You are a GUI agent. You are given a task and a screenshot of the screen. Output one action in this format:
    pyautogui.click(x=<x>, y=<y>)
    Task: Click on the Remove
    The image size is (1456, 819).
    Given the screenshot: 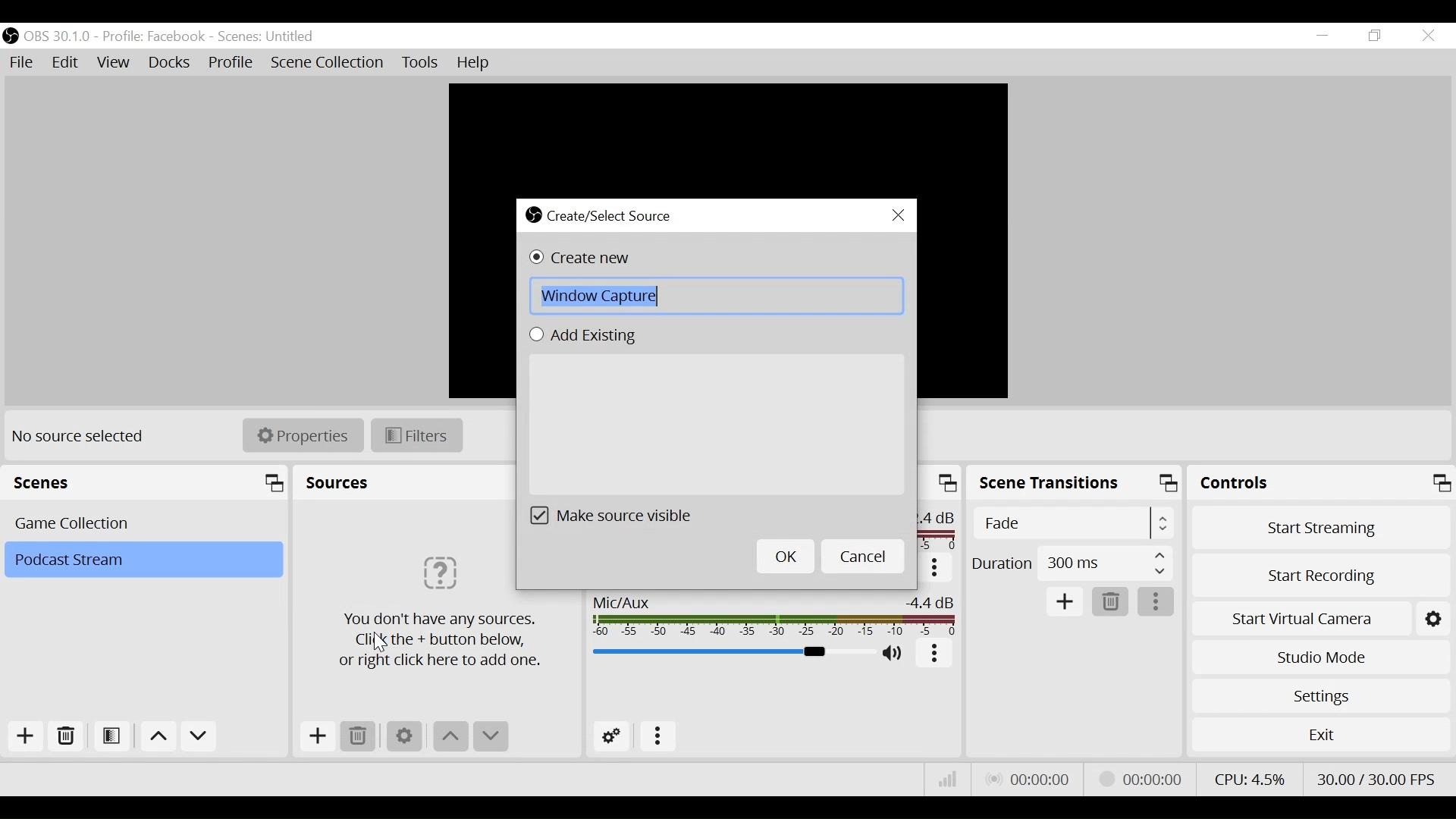 What is the action you would take?
    pyautogui.click(x=358, y=737)
    